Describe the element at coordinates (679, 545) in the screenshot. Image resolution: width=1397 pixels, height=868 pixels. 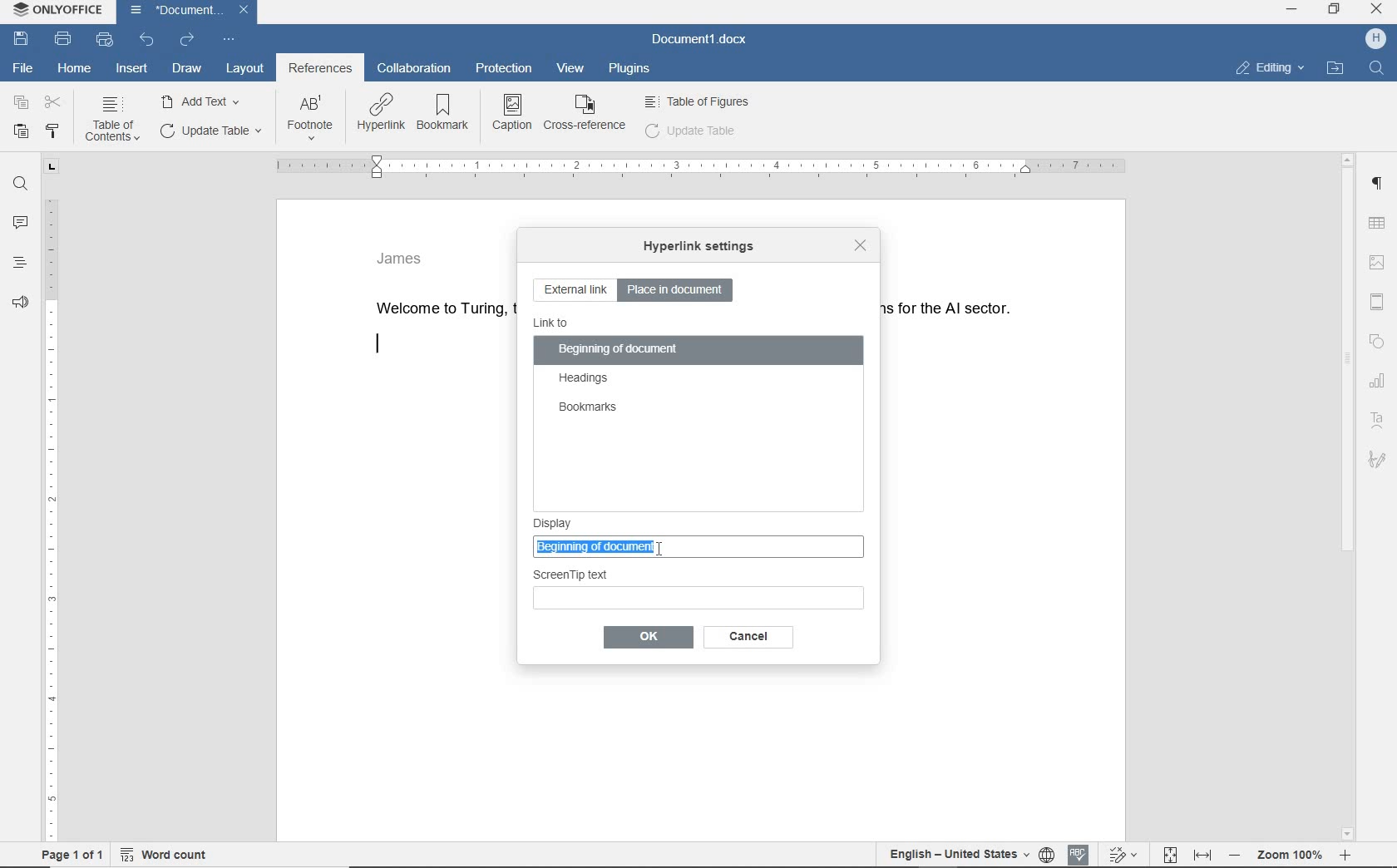
I see `Beginning of document` at that location.